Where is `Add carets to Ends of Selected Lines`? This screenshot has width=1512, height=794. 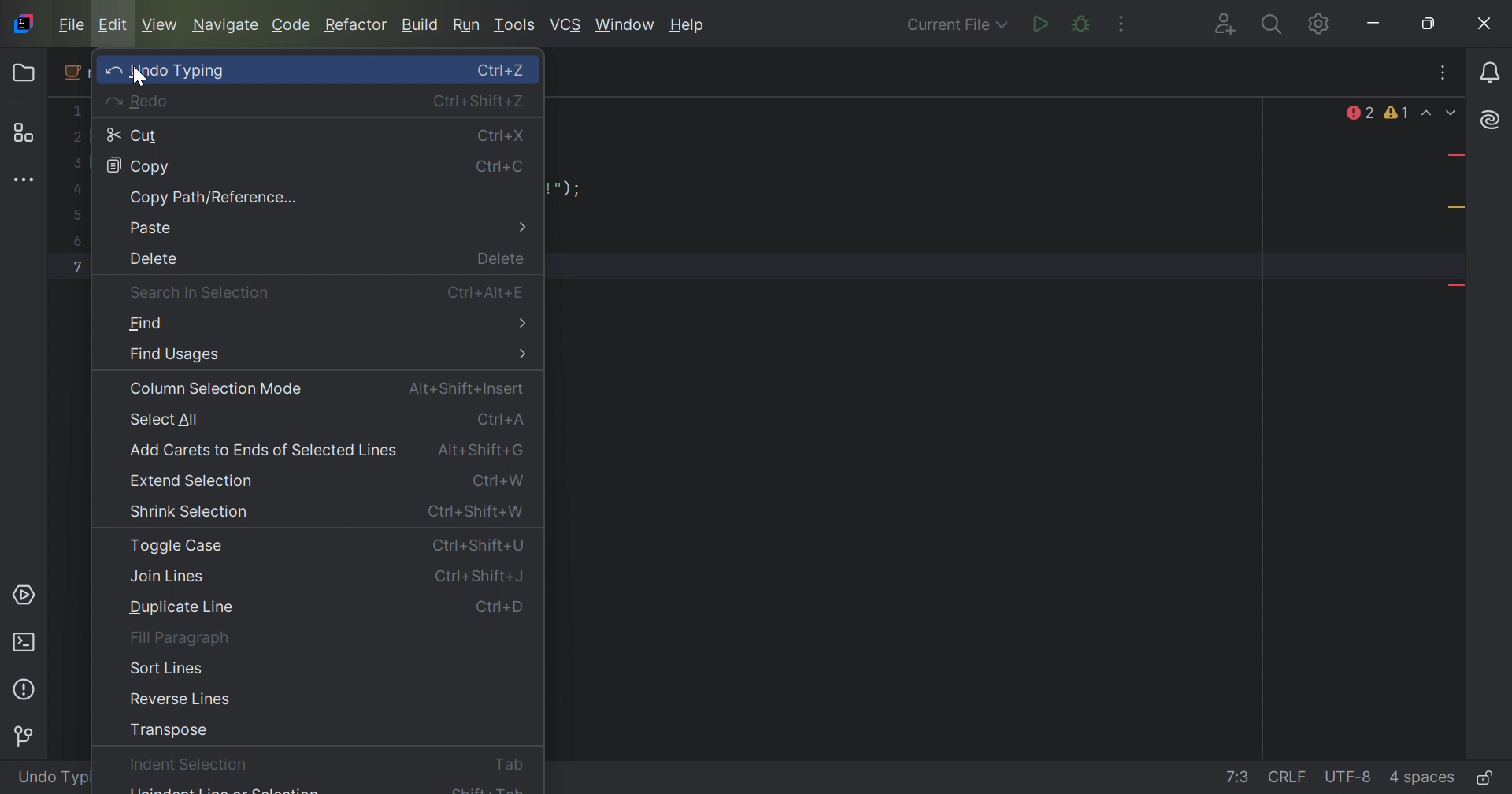
Add carets to Ends of Selected Lines is located at coordinates (265, 451).